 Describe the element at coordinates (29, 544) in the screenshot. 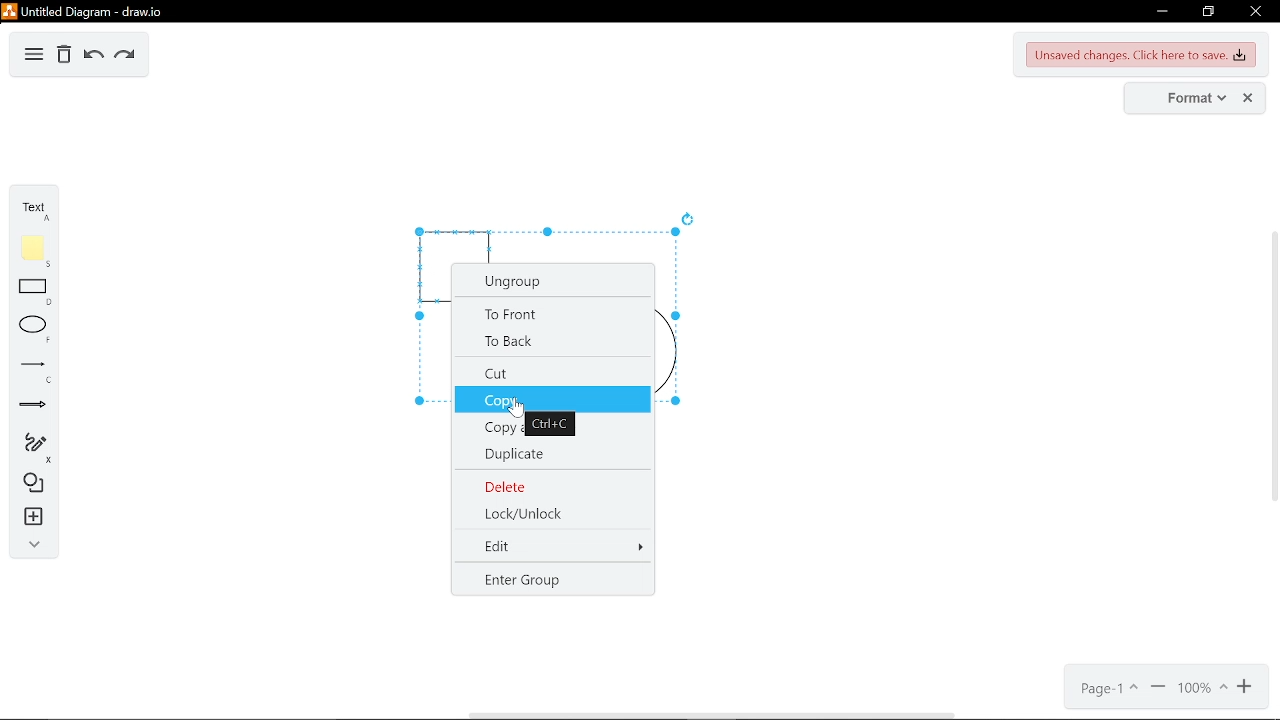

I see `collapse` at that location.